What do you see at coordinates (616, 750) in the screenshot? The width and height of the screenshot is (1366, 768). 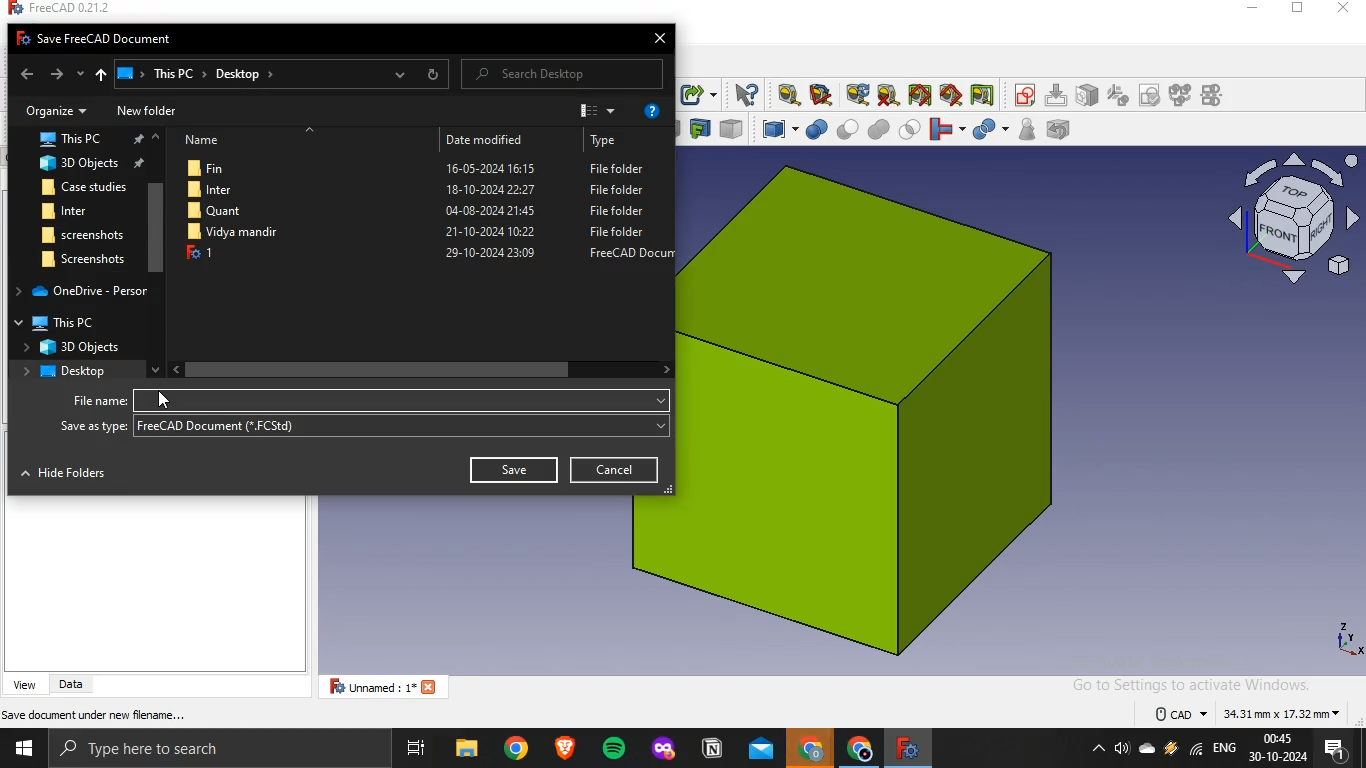 I see `spotify` at bounding box center [616, 750].